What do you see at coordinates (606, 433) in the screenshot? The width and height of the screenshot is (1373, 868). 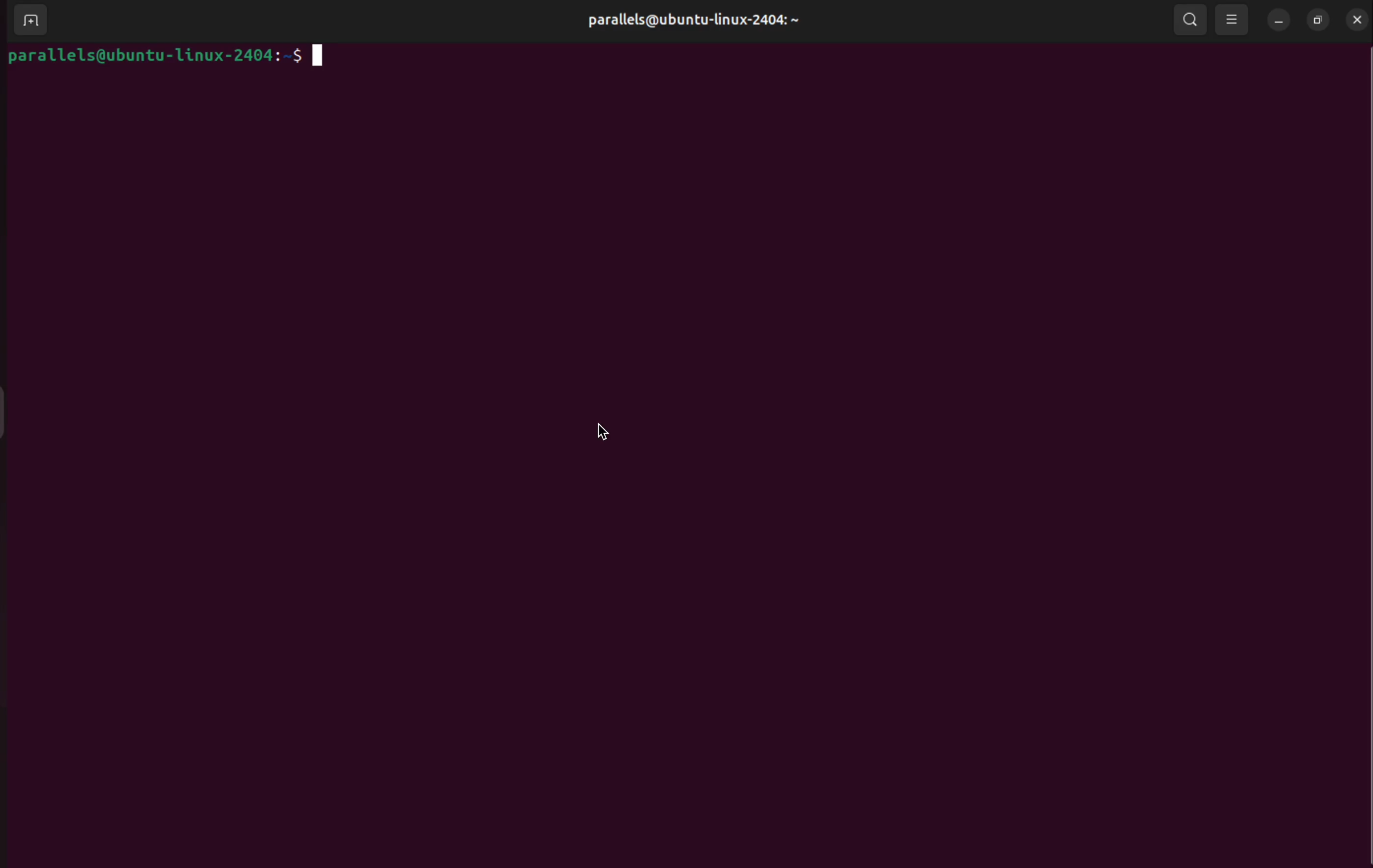 I see `cursor` at bounding box center [606, 433].